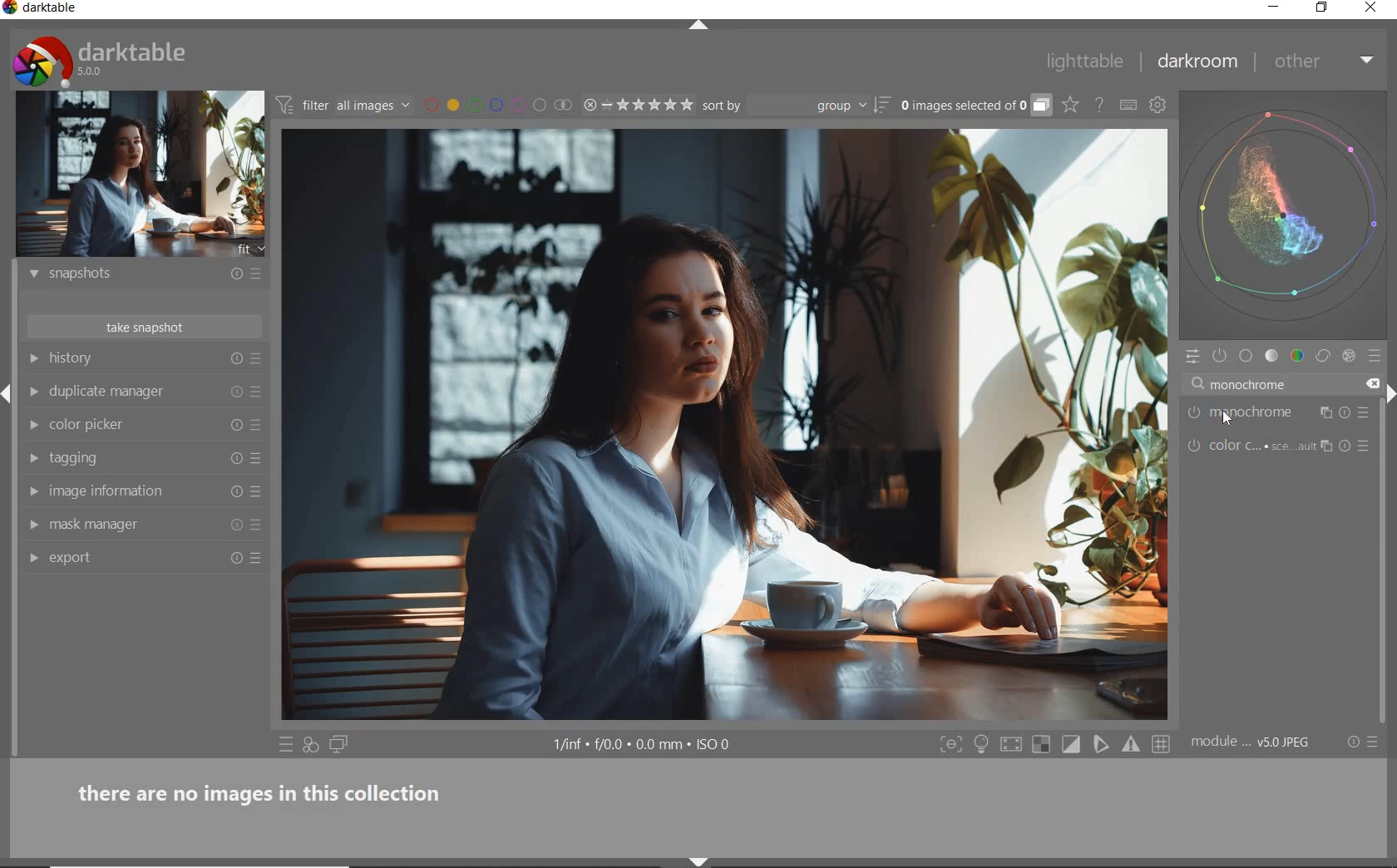 This screenshot has height=868, width=1397. Describe the element at coordinates (1323, 357) in the screenshot. I see `correct` at that location.